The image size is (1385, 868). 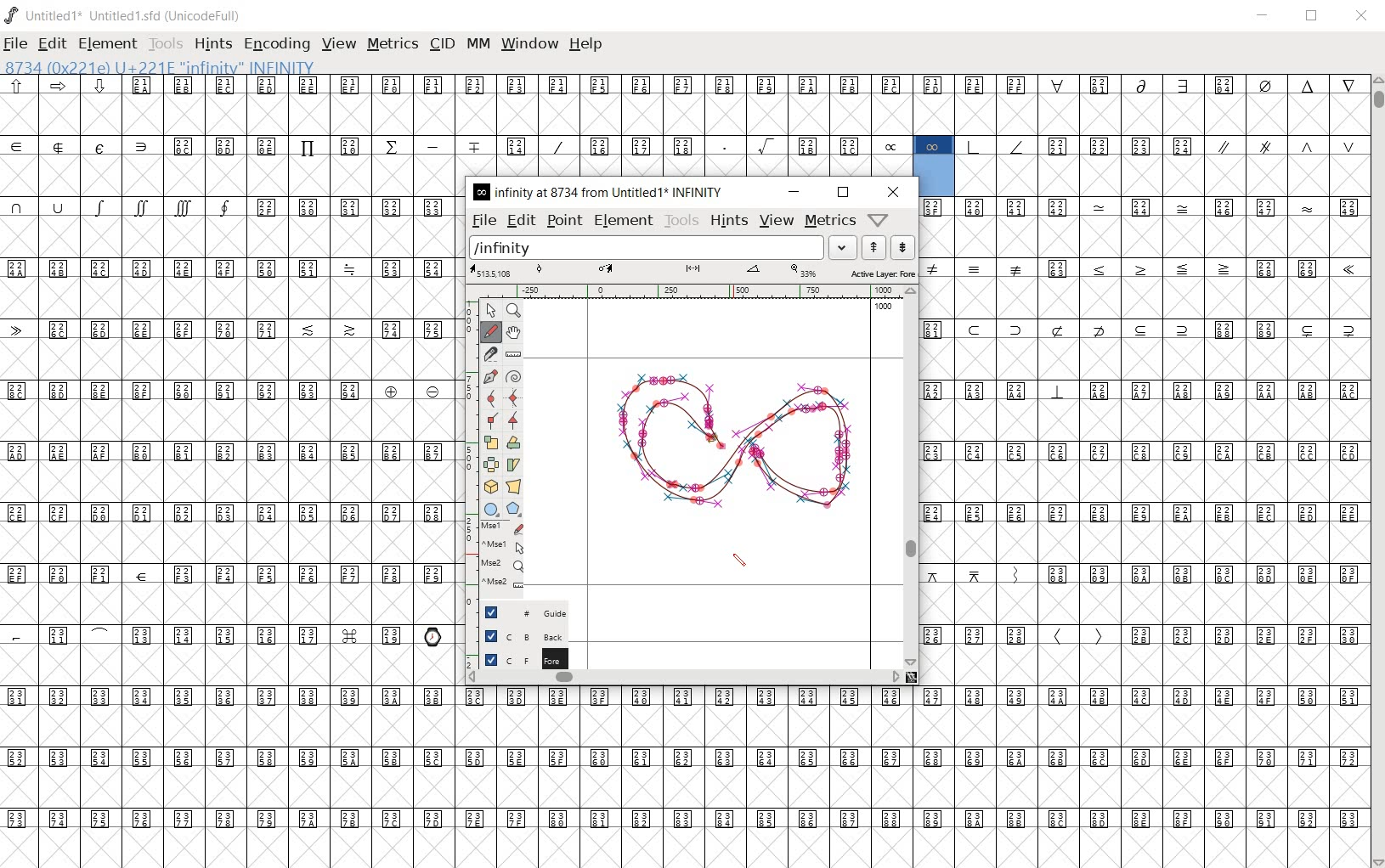 What do you see at coordinates (597, 192) in the screenshot?
I see `INFINITY AT 8734 FROM UNTITLED1 INFINITY` at bounding box center [597, 192].